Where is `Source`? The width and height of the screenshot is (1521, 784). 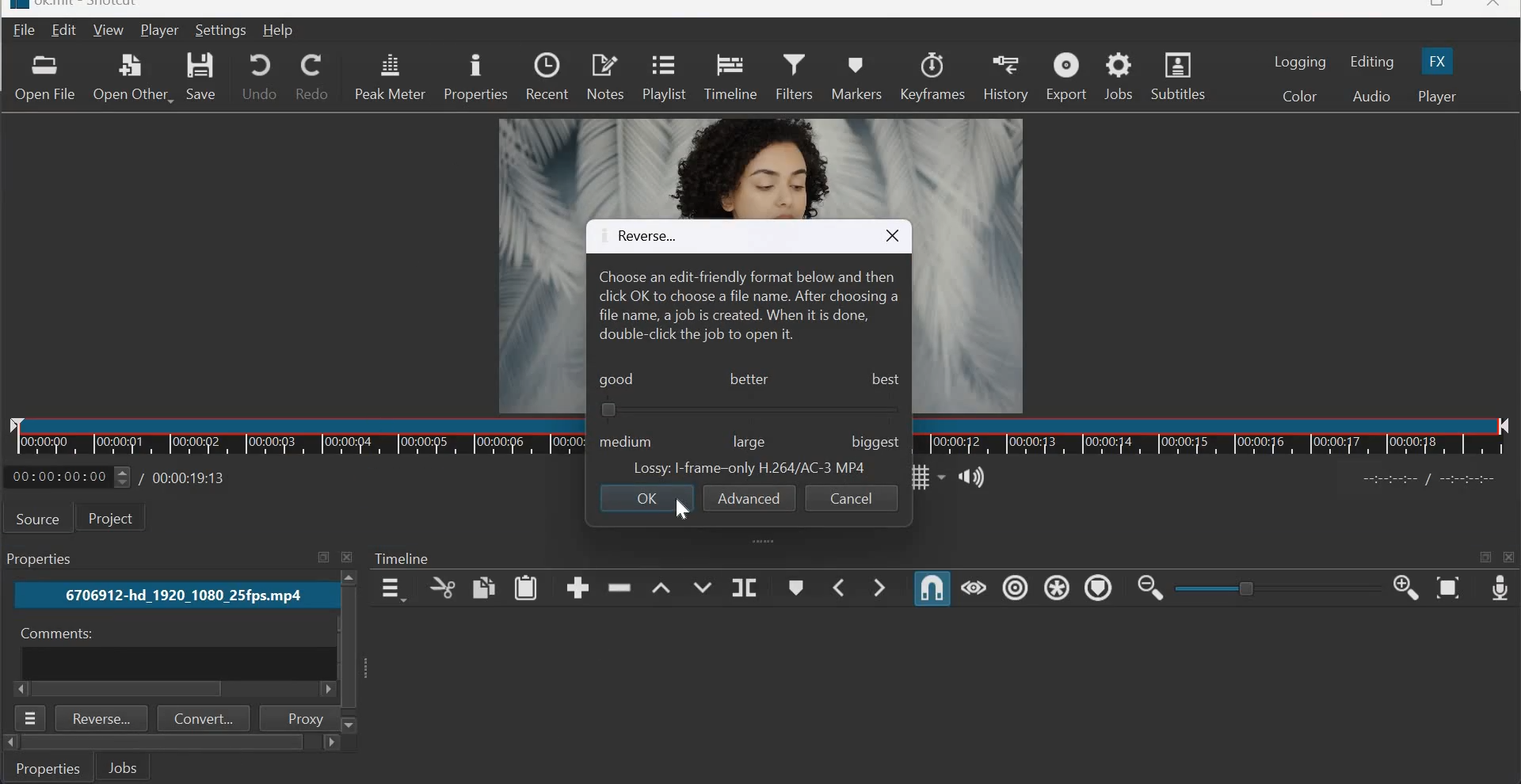 Source is located at coordinates (38, 518).